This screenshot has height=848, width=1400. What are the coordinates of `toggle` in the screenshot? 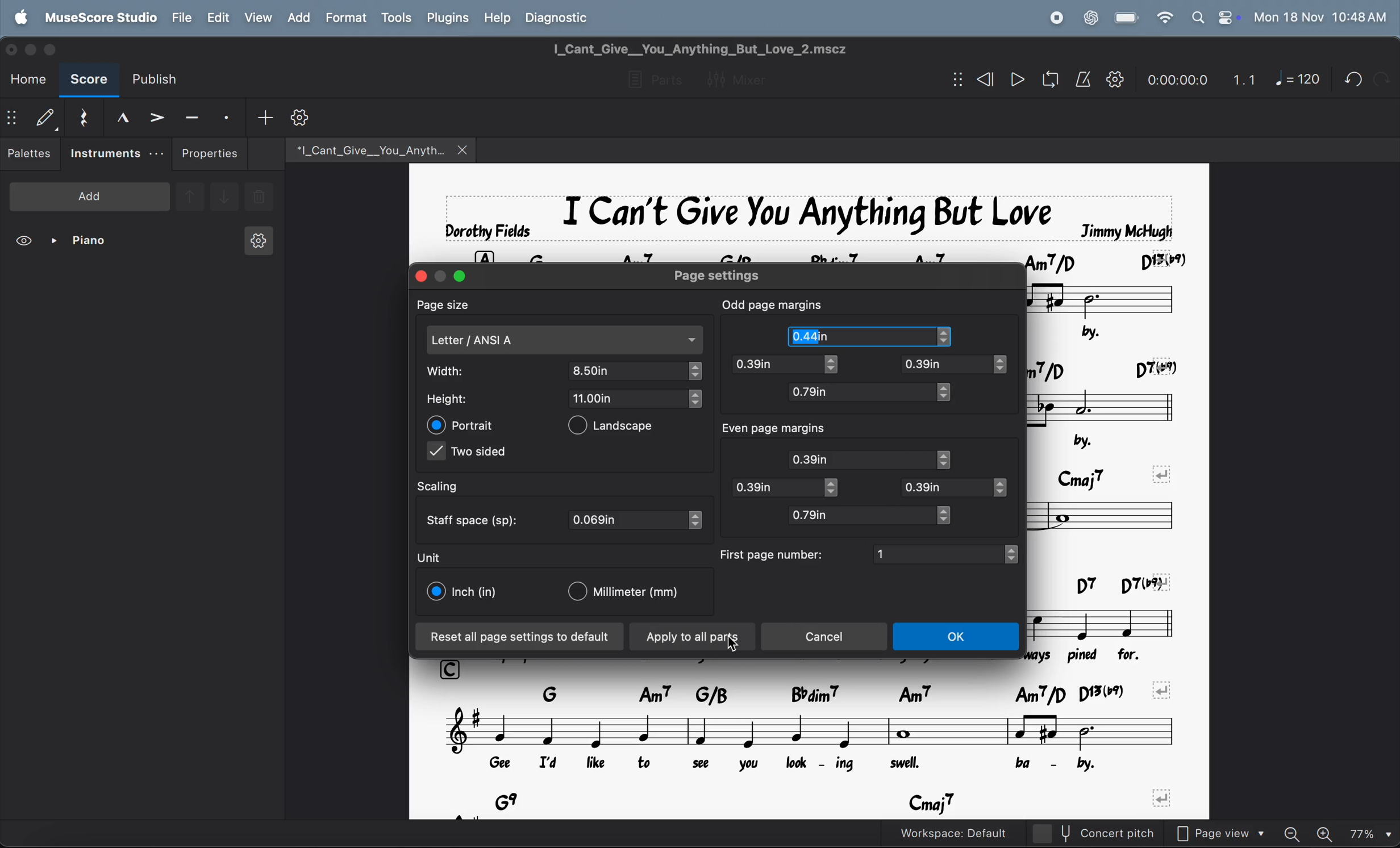 It's located at (951, 515).